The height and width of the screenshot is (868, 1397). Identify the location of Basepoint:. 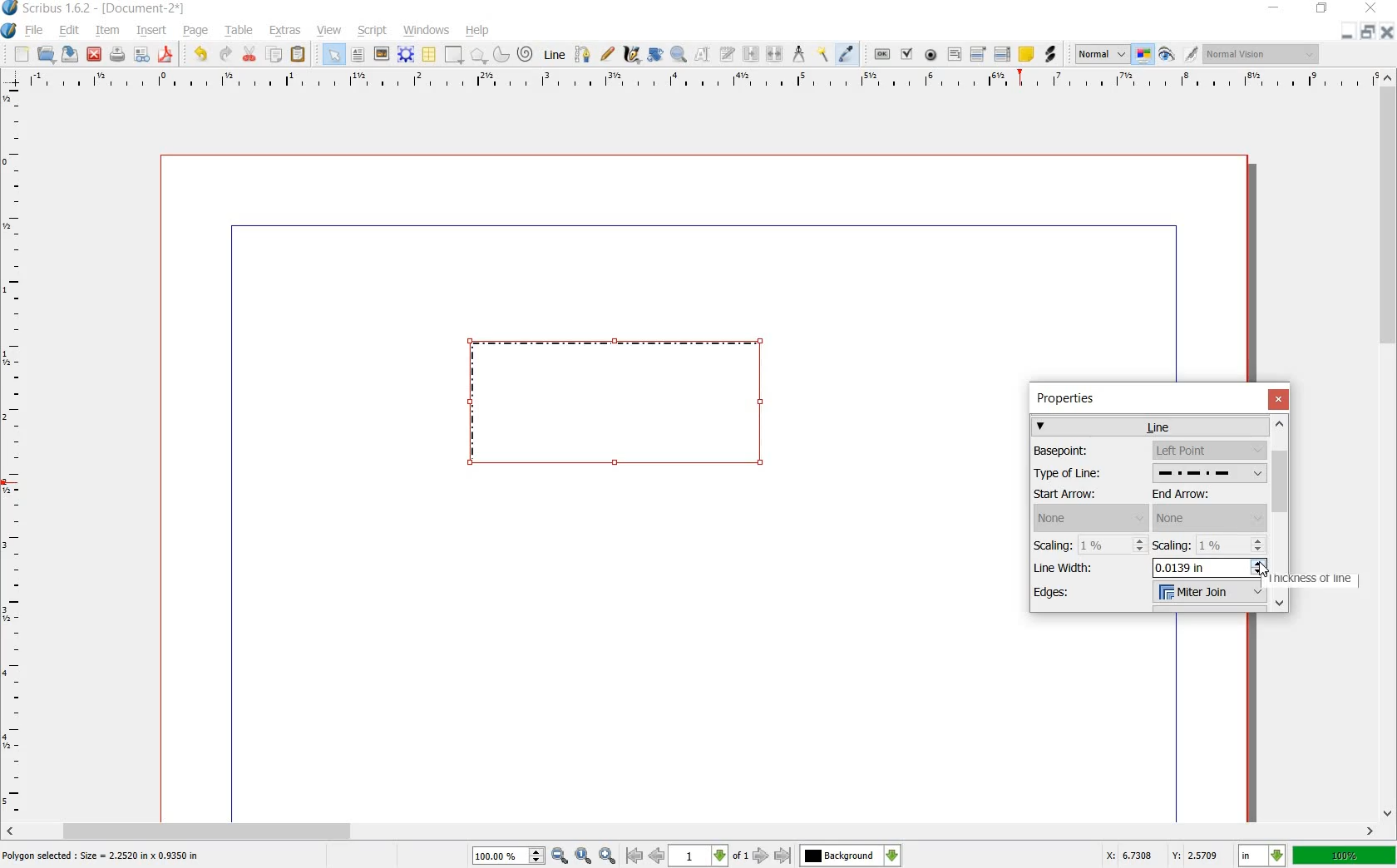
(1084, 451).